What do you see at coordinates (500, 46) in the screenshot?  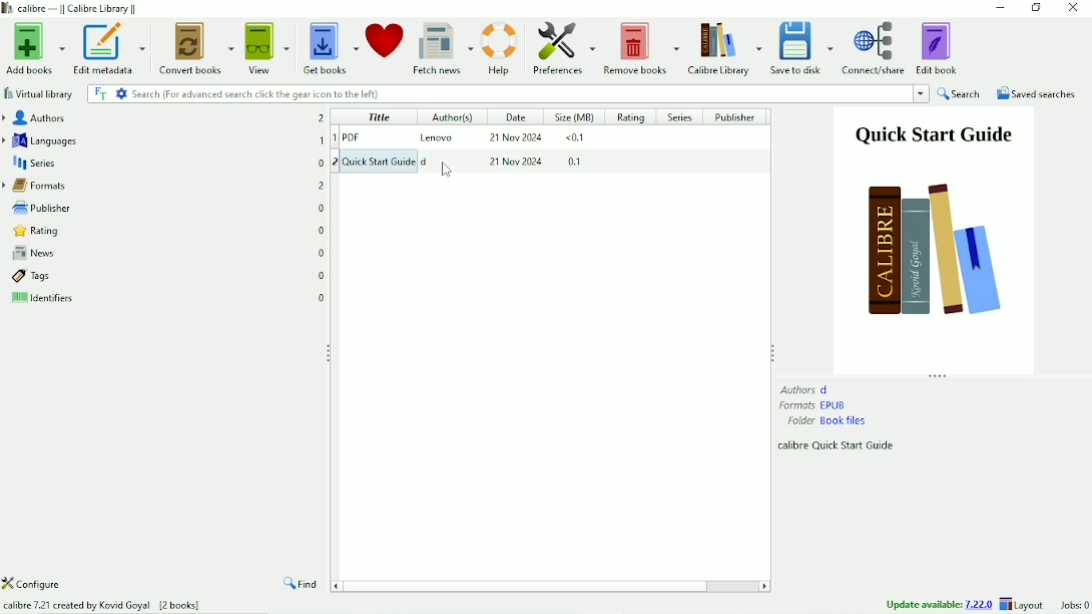 I see `Help` at bounding box center [500, 46].